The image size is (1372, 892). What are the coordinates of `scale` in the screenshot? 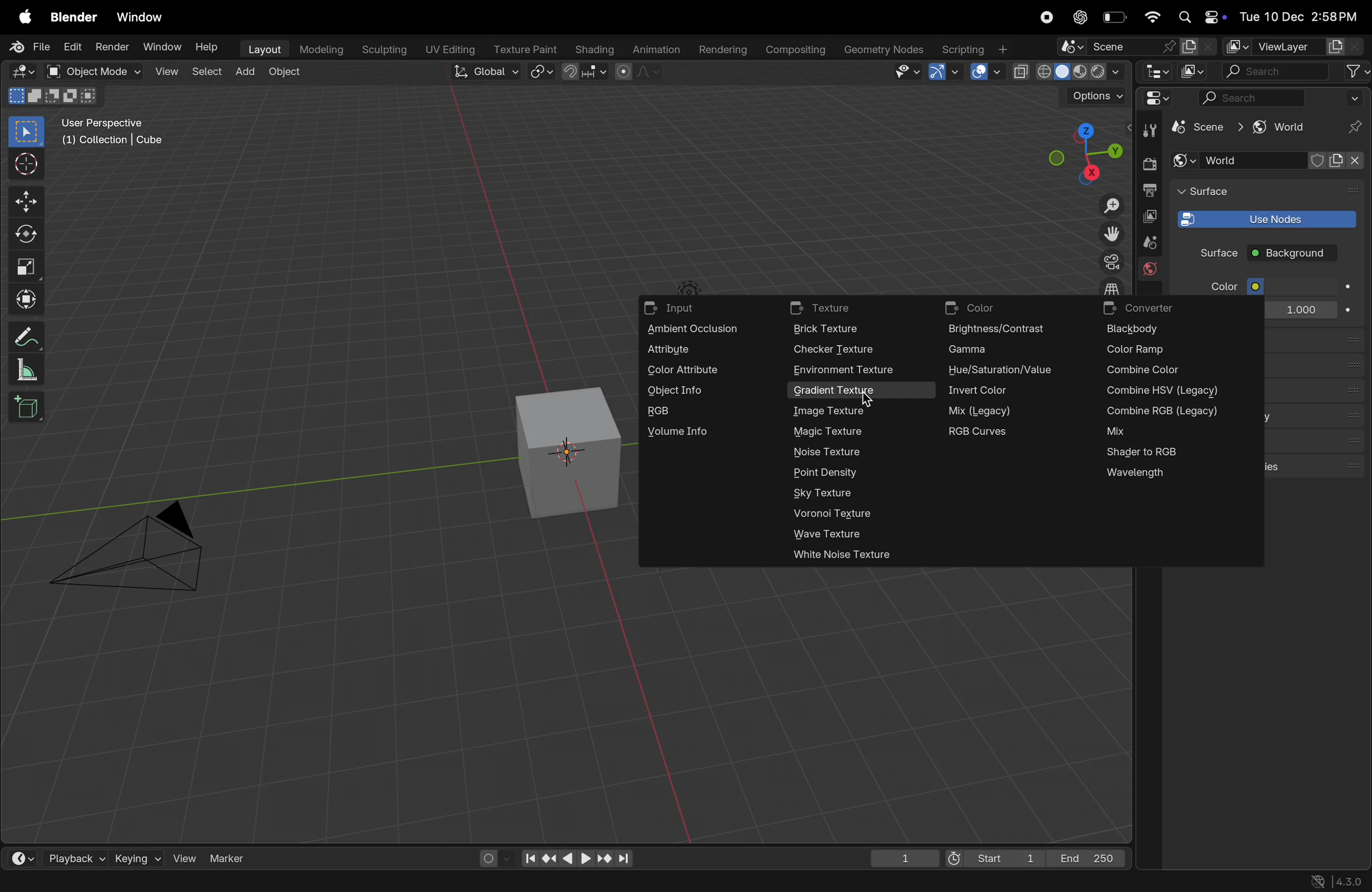 It's located at (28, 266).